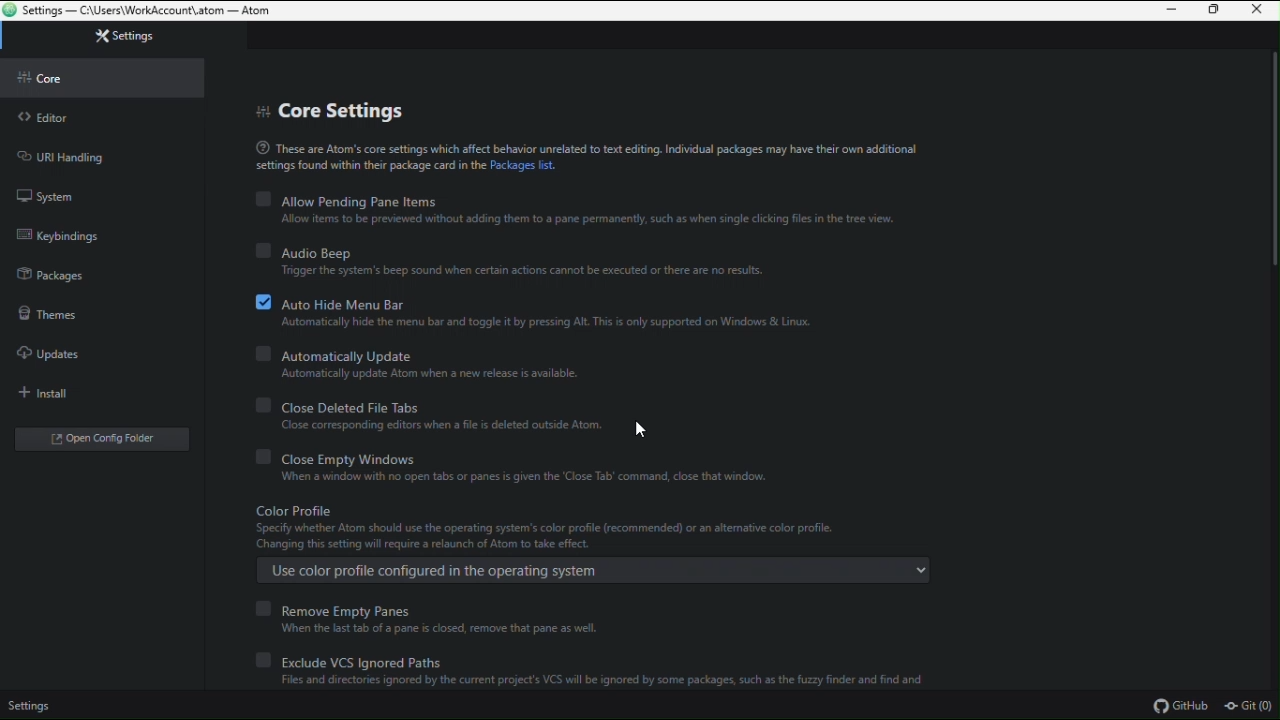  What do you see at coordinates (583, 300) in the screenshot?
I see `Auto hide menu bar` at bounding box center [583, 300].